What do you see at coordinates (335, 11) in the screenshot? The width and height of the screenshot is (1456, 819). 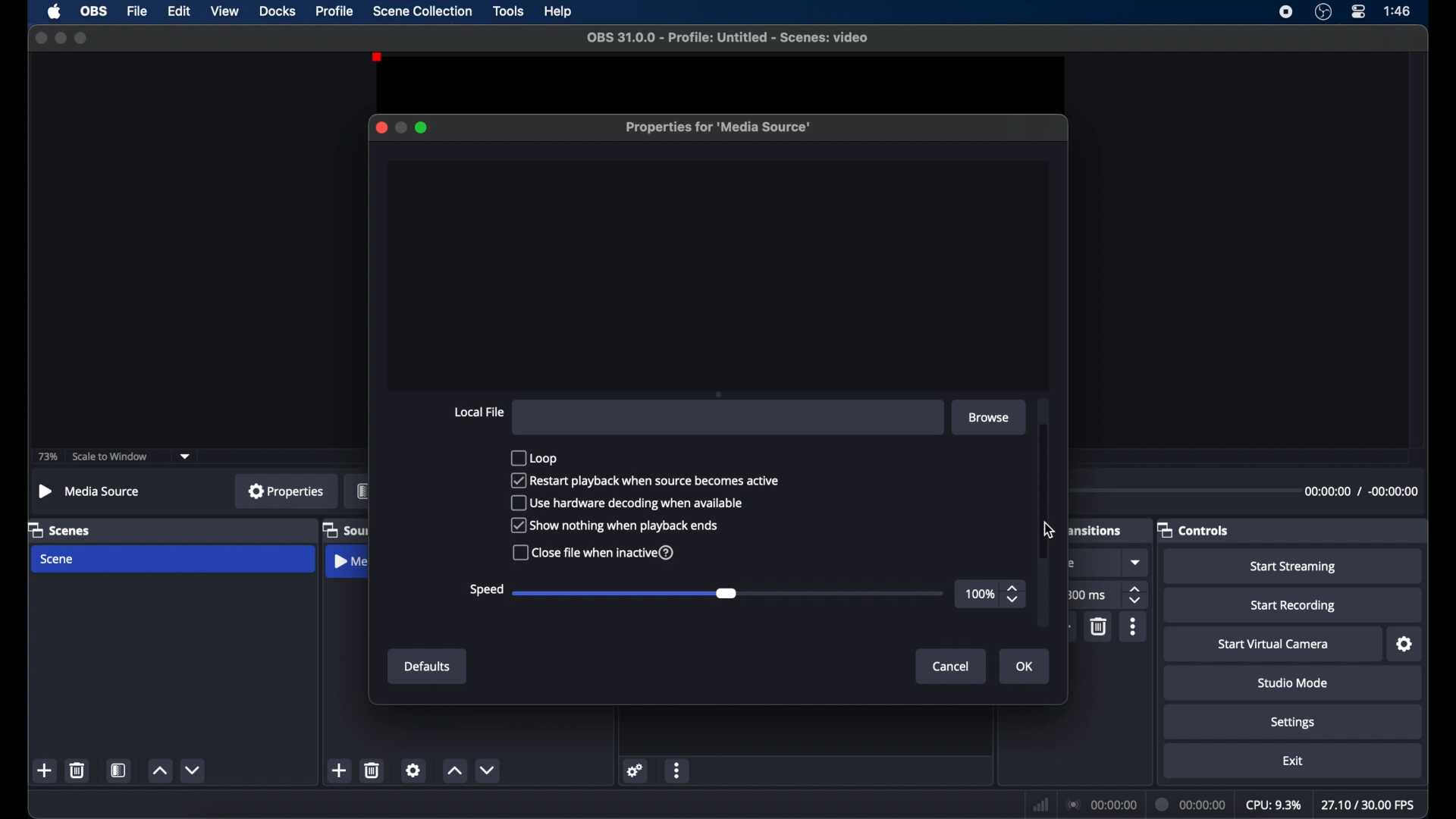 I see `profile` at bounding box center [335, 11].